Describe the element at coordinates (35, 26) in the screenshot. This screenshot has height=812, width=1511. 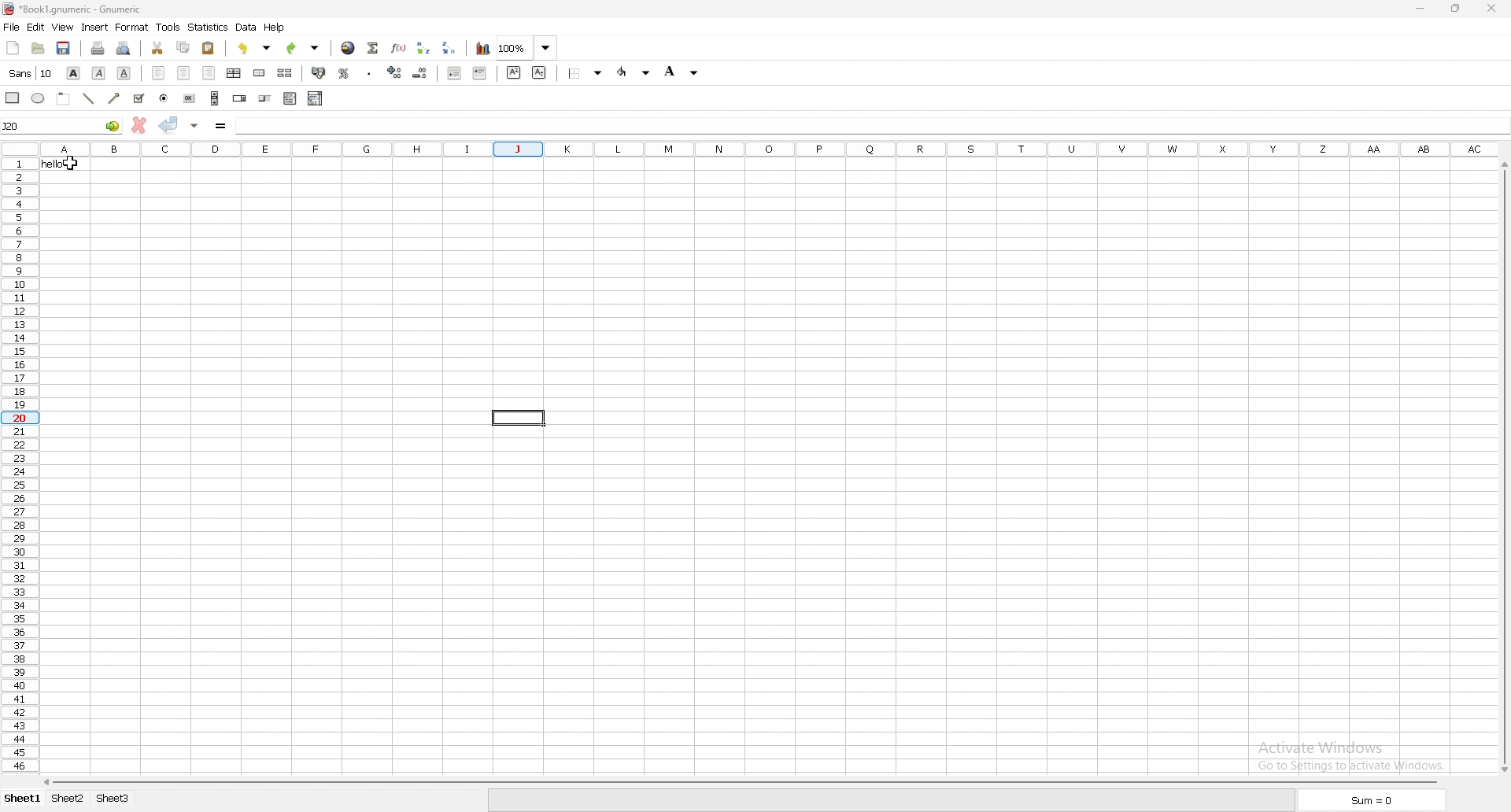
I see `edit` at that location.